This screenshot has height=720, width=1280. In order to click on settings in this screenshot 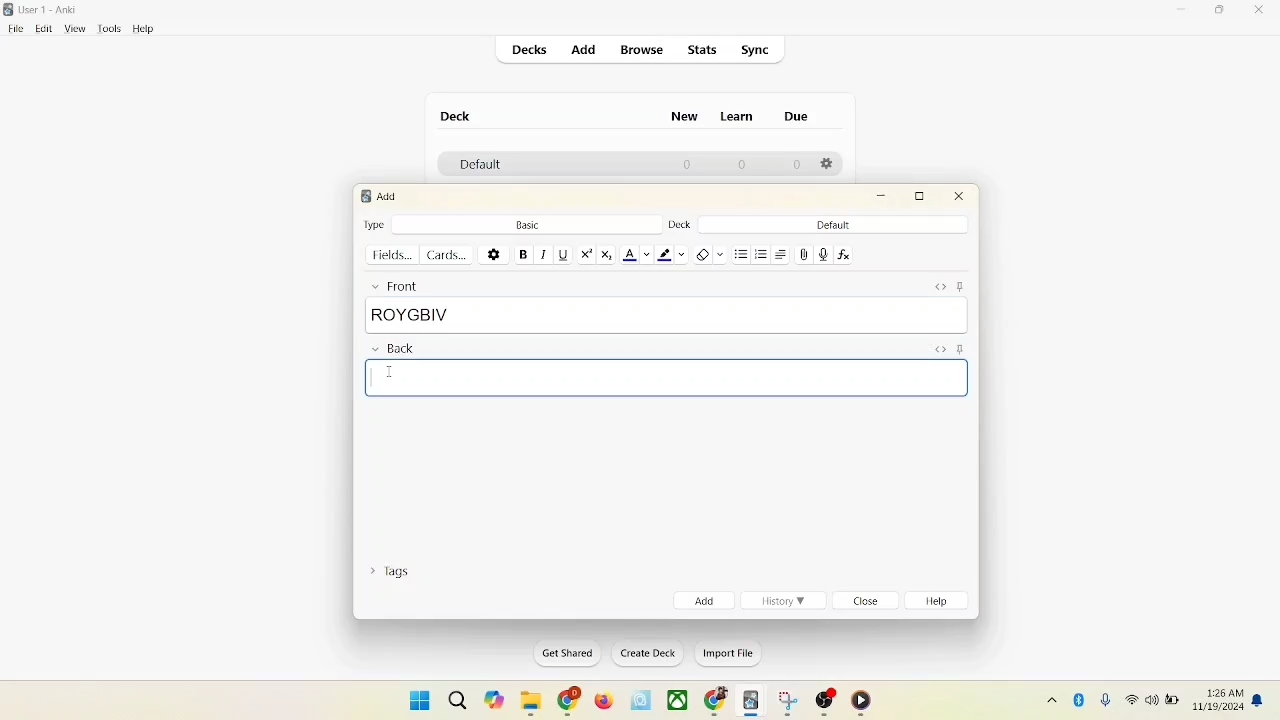, I will do `click(494, 253)`.